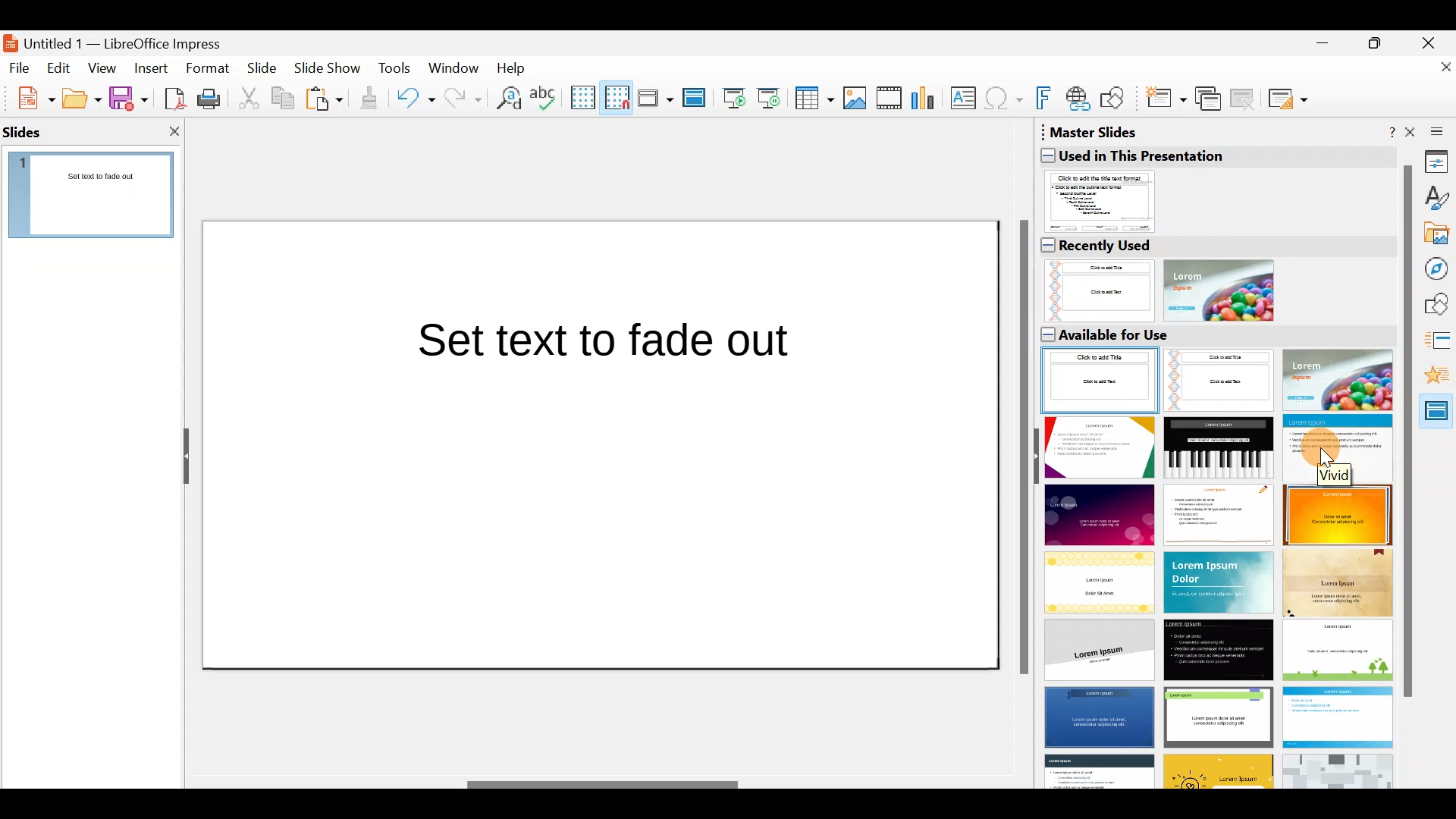  What do you see at coordinates (251, 99) in the screenshot?
I see `Cut` at bounding box center [251, 99].